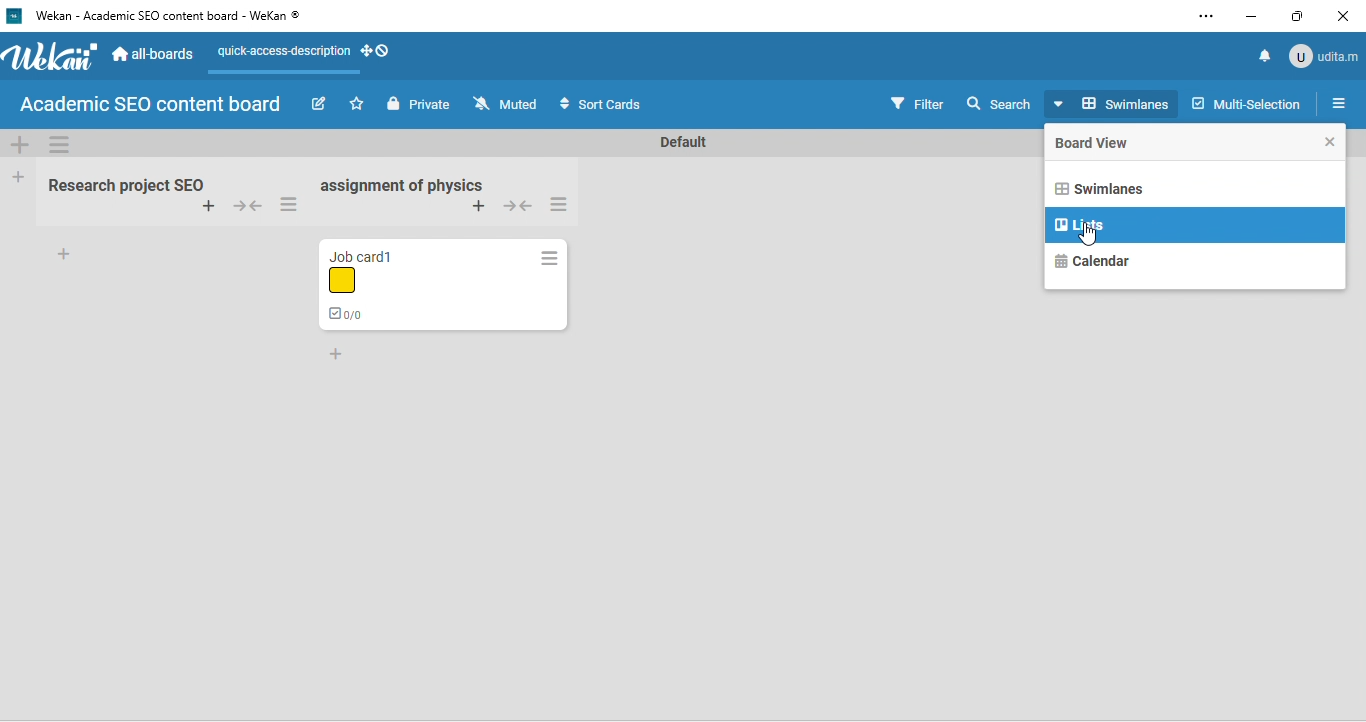 The image size is (1366, 722). Describe the element at coordinates (246, 208) in the screenshot. I see `collapse` at that location.